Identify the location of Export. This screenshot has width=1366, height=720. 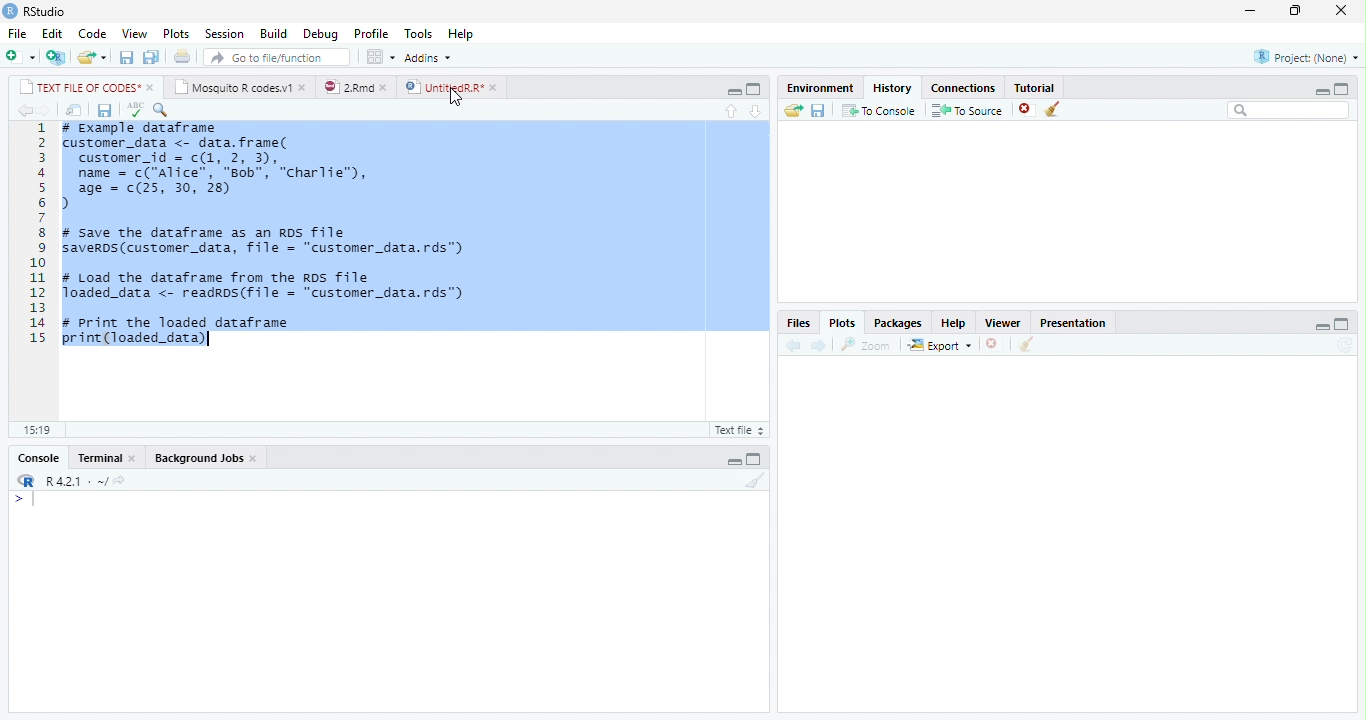
(939, 345).